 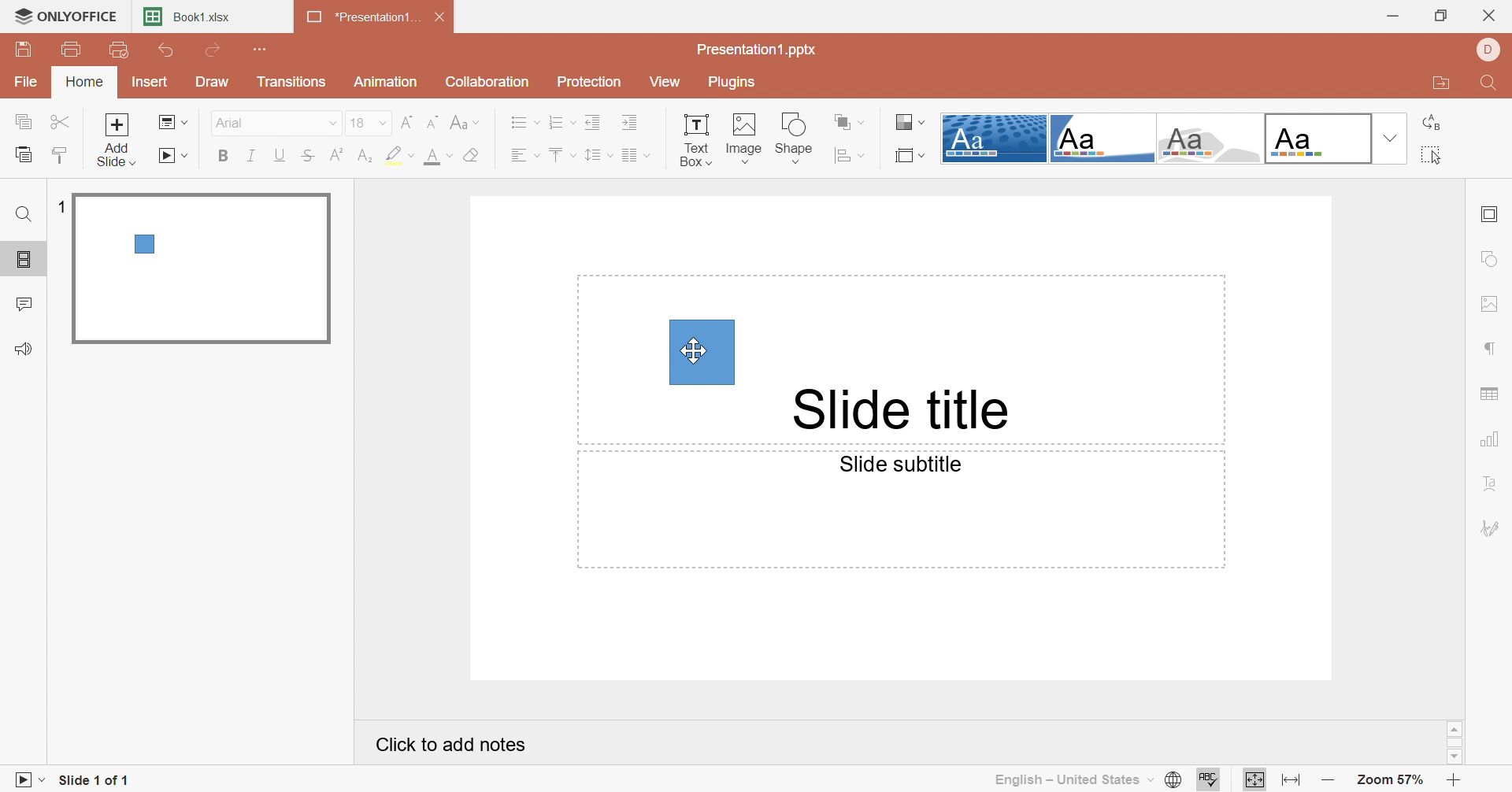 I want to click on View, so click(x=662, y=83).